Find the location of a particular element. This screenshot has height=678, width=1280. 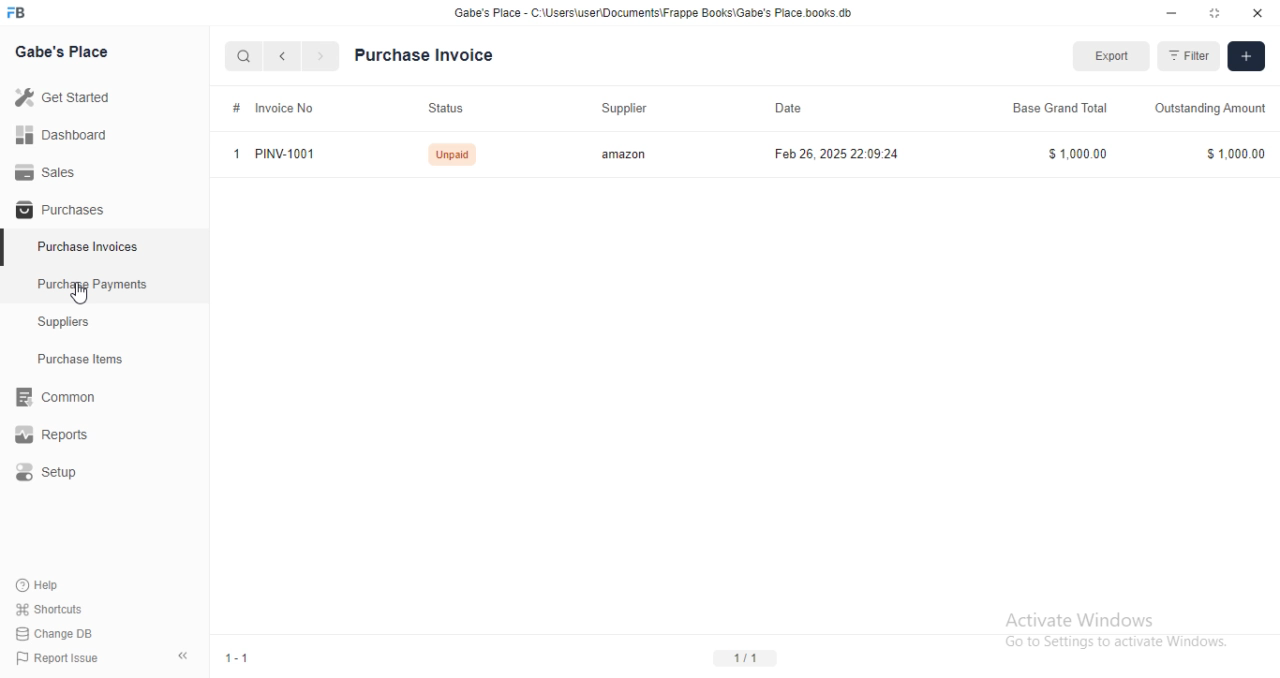

Status. is located at coordinates (446, 109).